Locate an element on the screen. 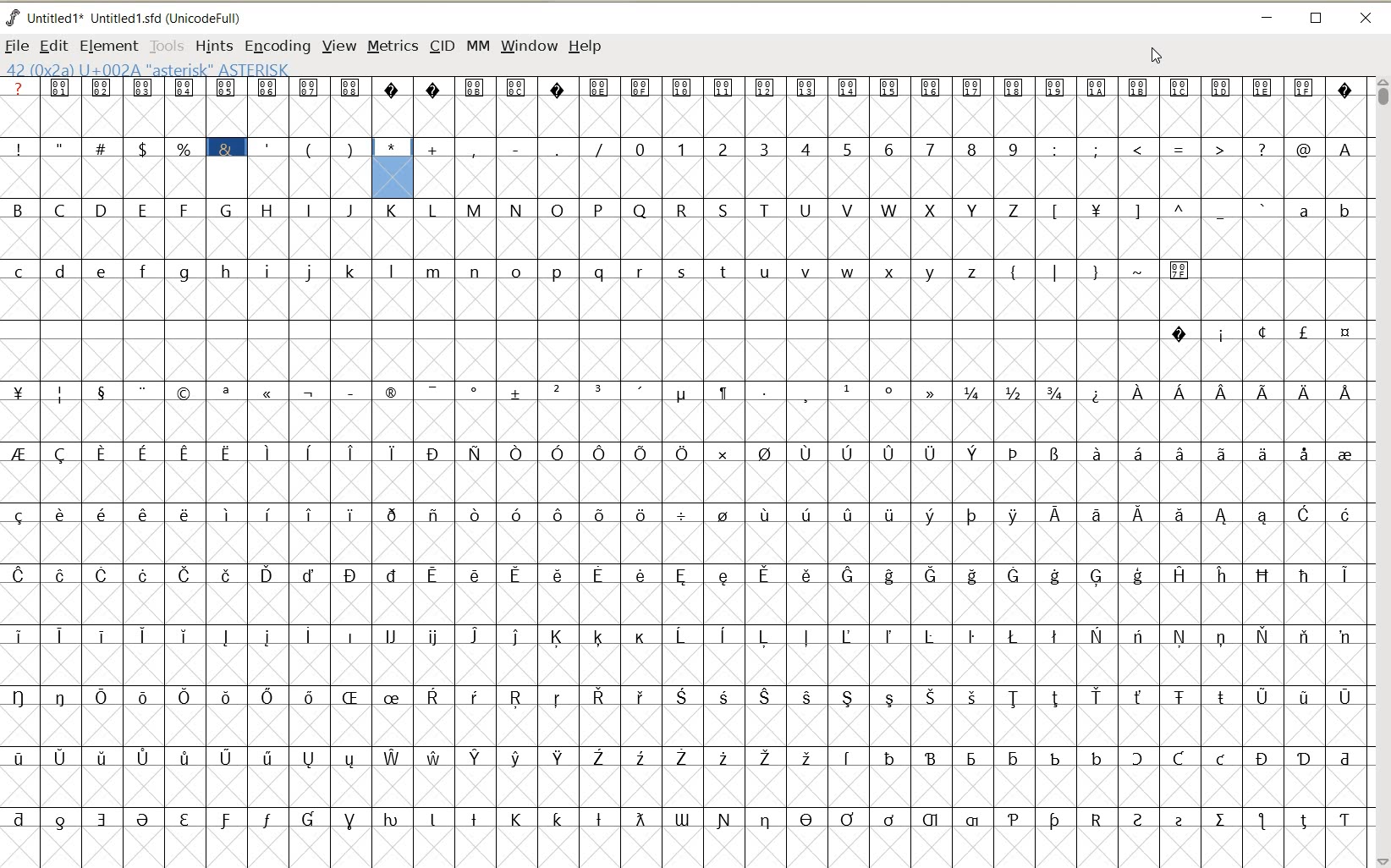  MM is located at coordinates (477, 47).